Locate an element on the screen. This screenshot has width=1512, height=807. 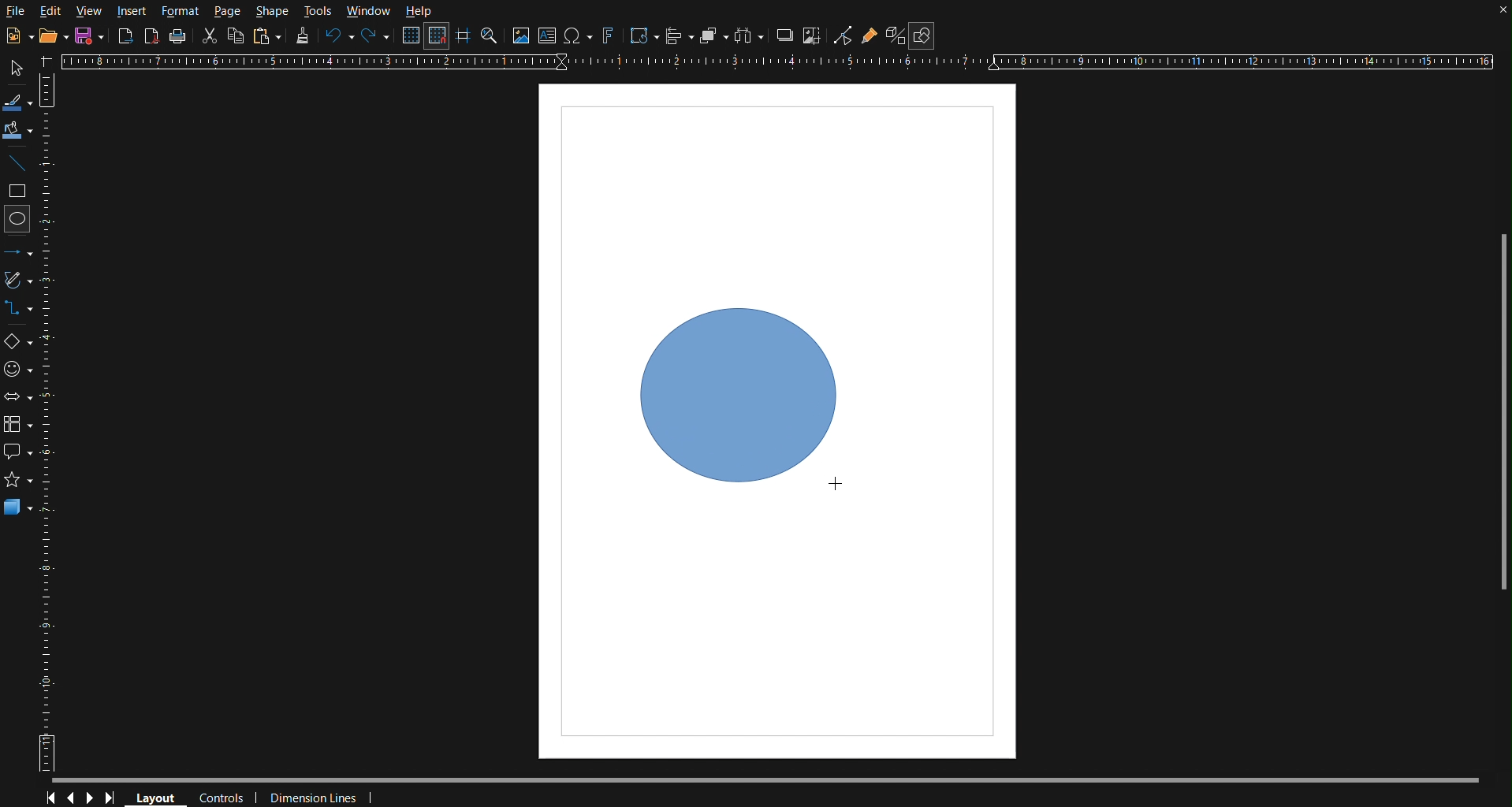
Controls is located at coordinates (82, 796).